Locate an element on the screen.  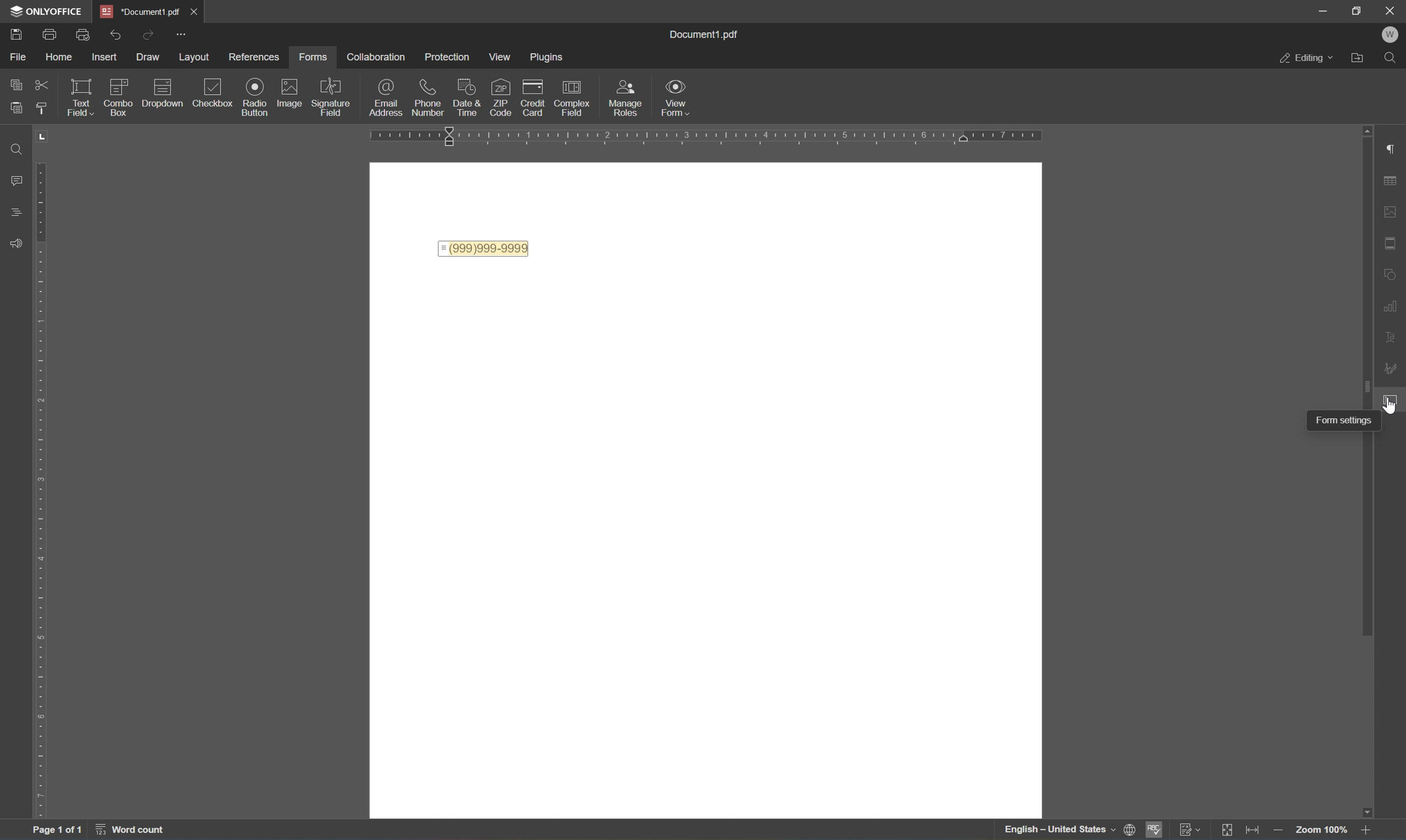
track changes is located at coordinates (1189, 829).